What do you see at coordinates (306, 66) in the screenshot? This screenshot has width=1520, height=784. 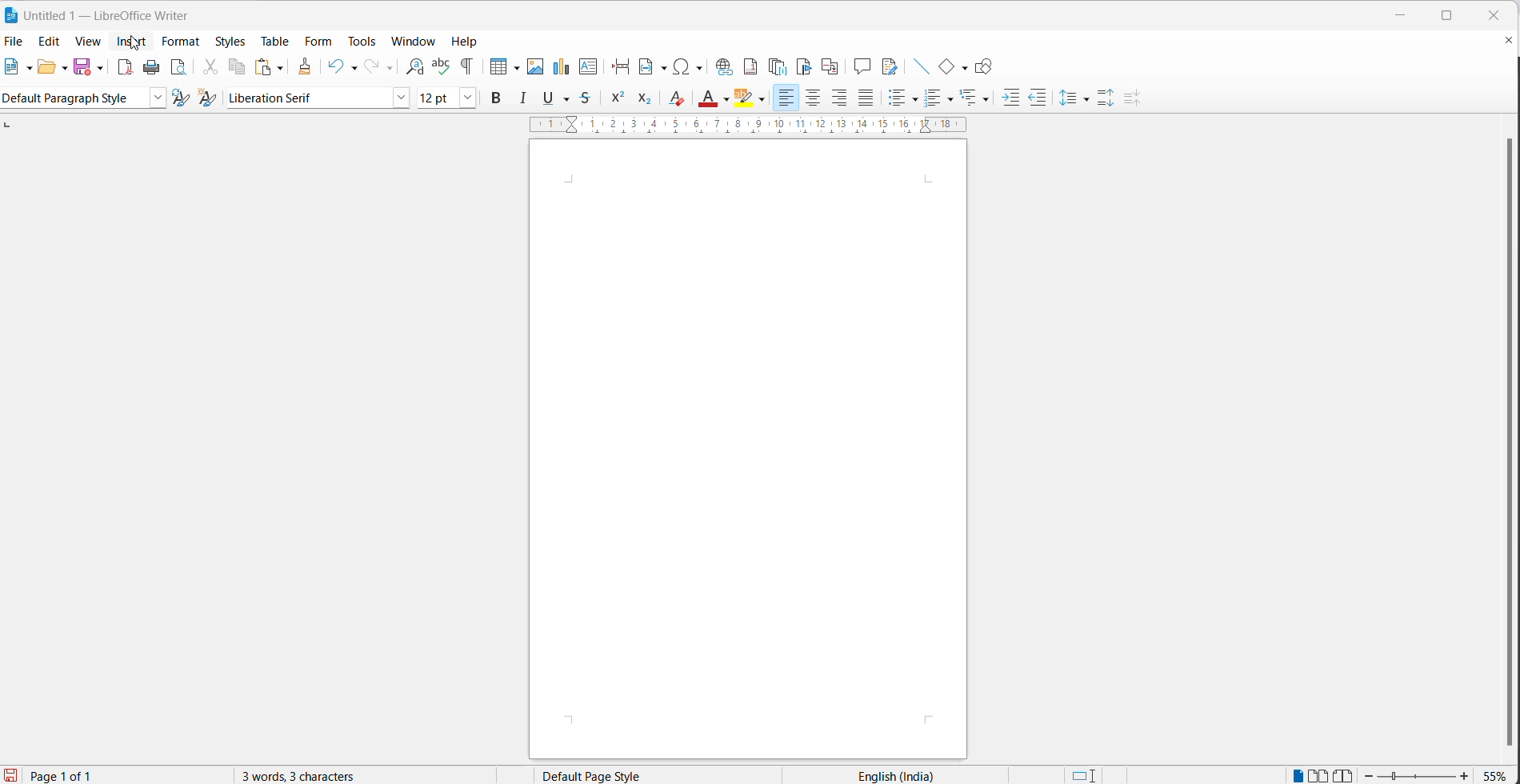 I see `clone formatting` at bounding box center [306, 66].